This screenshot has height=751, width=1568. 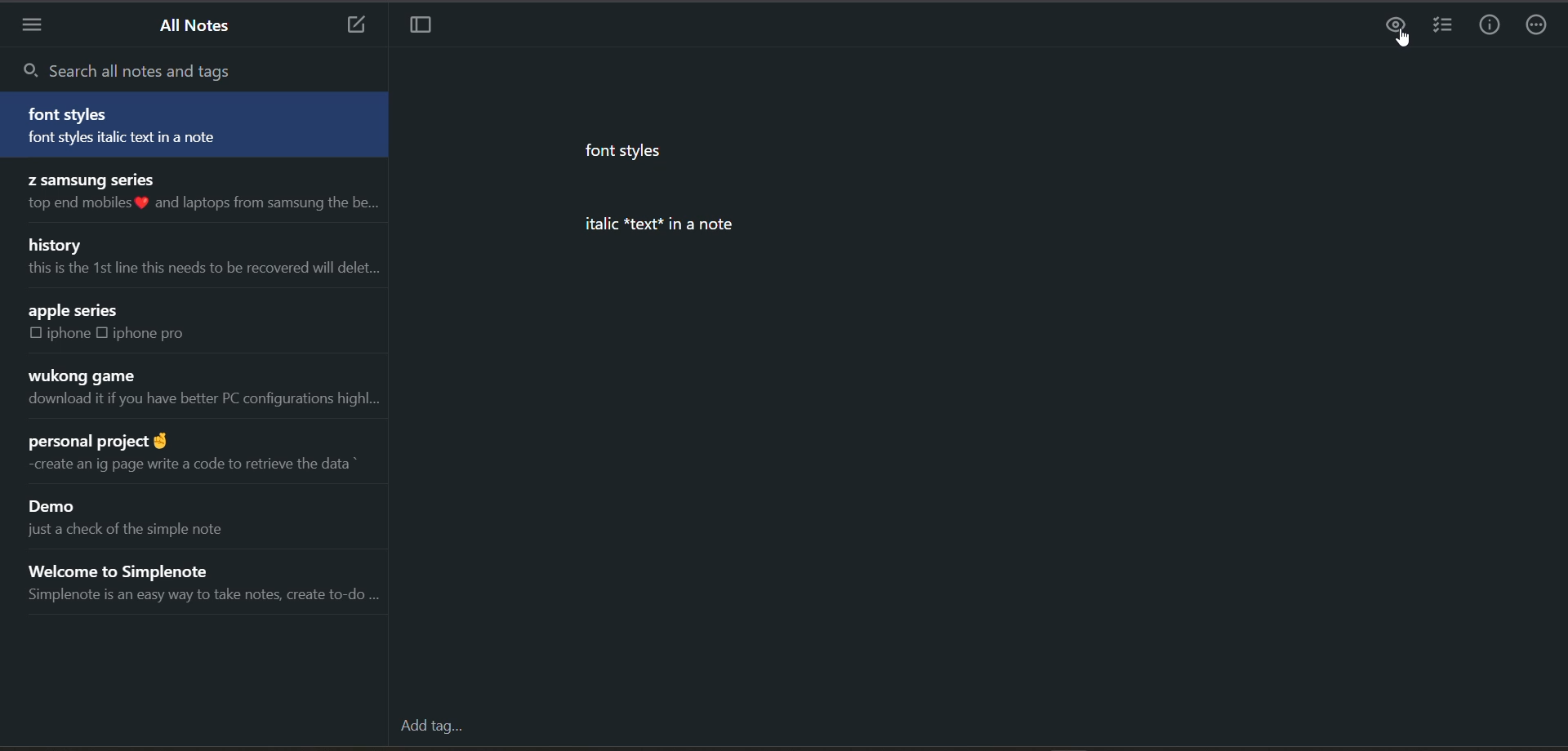 What do you see at coordinates (684, 193) in the screenshot?
I see `data from current note` at bounding box center [684, 193].